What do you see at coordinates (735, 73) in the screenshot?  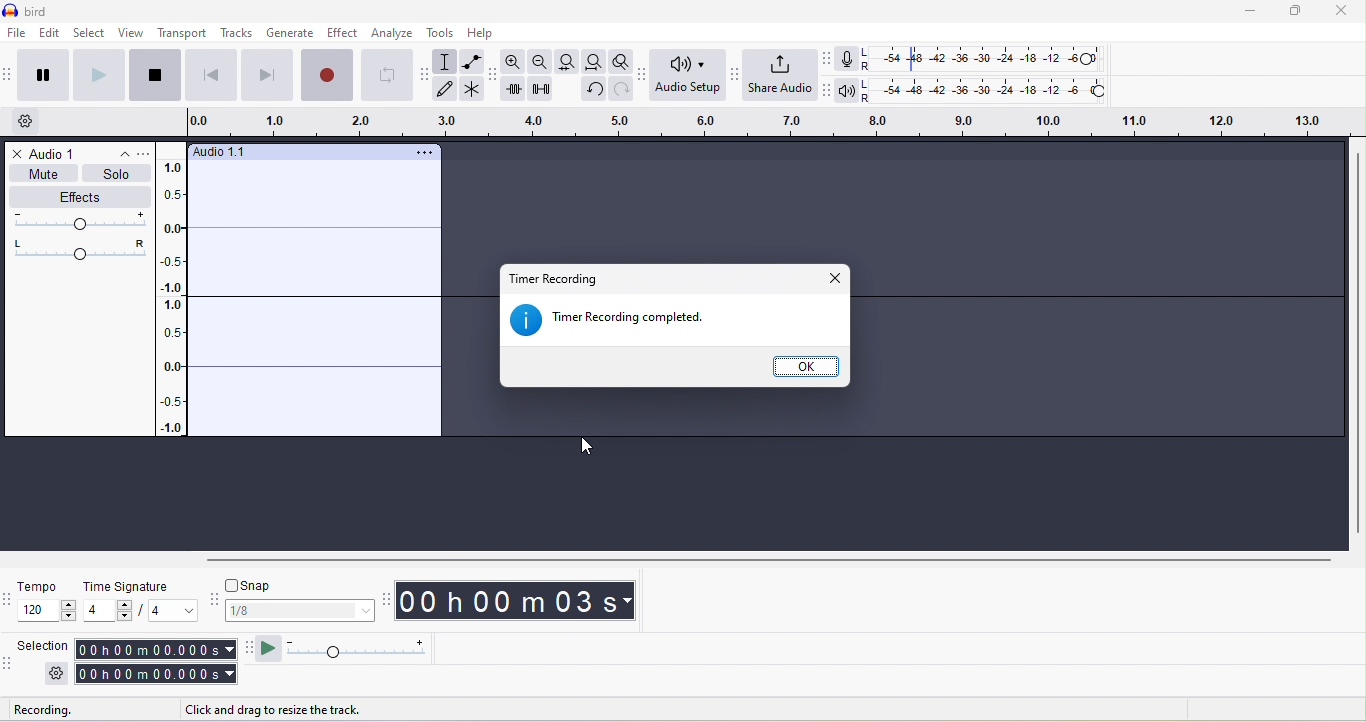 I see `audacity share audio toolbar` at bounding box center [735, 73].